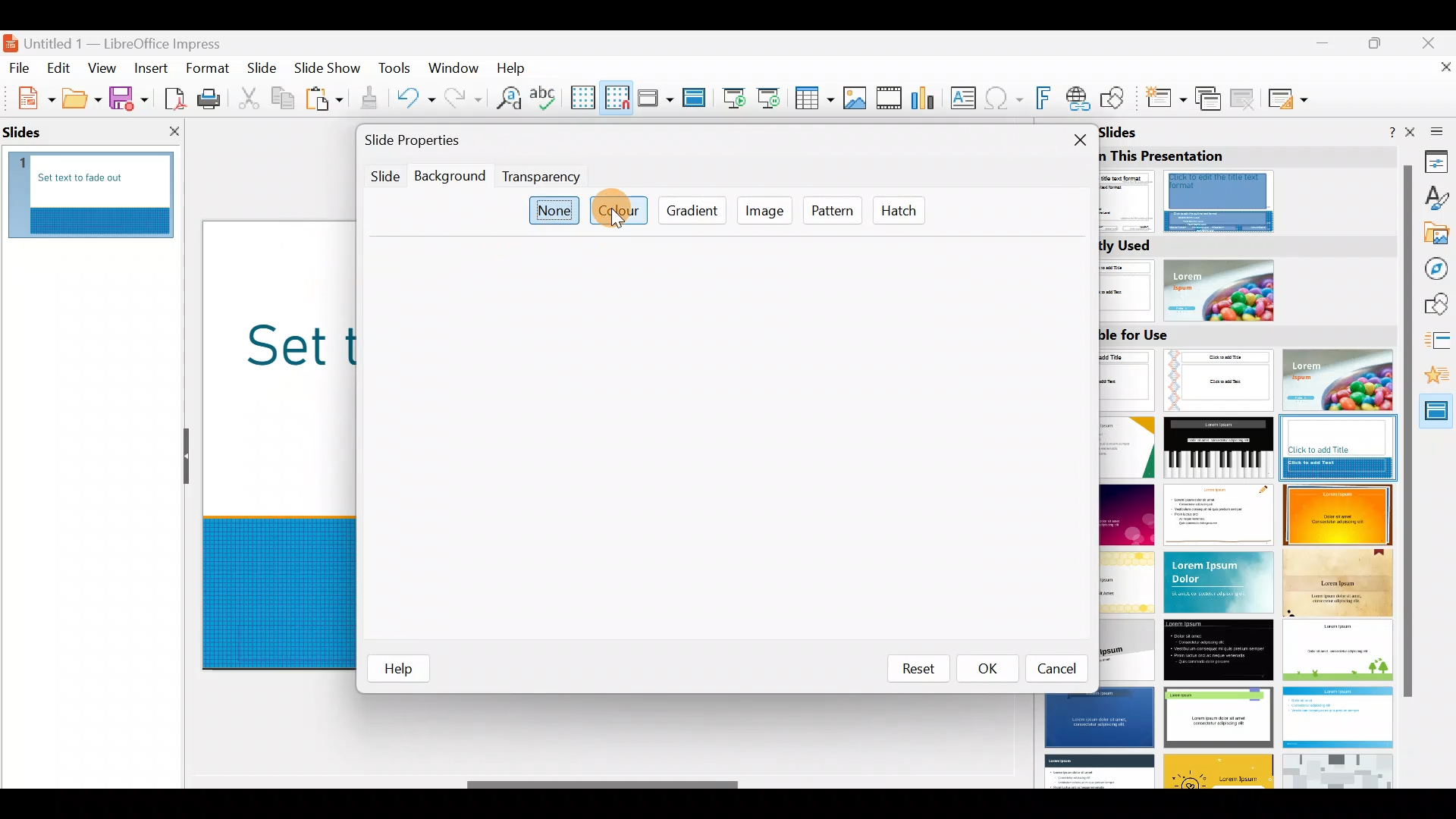  I want to click on Shapes, so click(1439, 306).